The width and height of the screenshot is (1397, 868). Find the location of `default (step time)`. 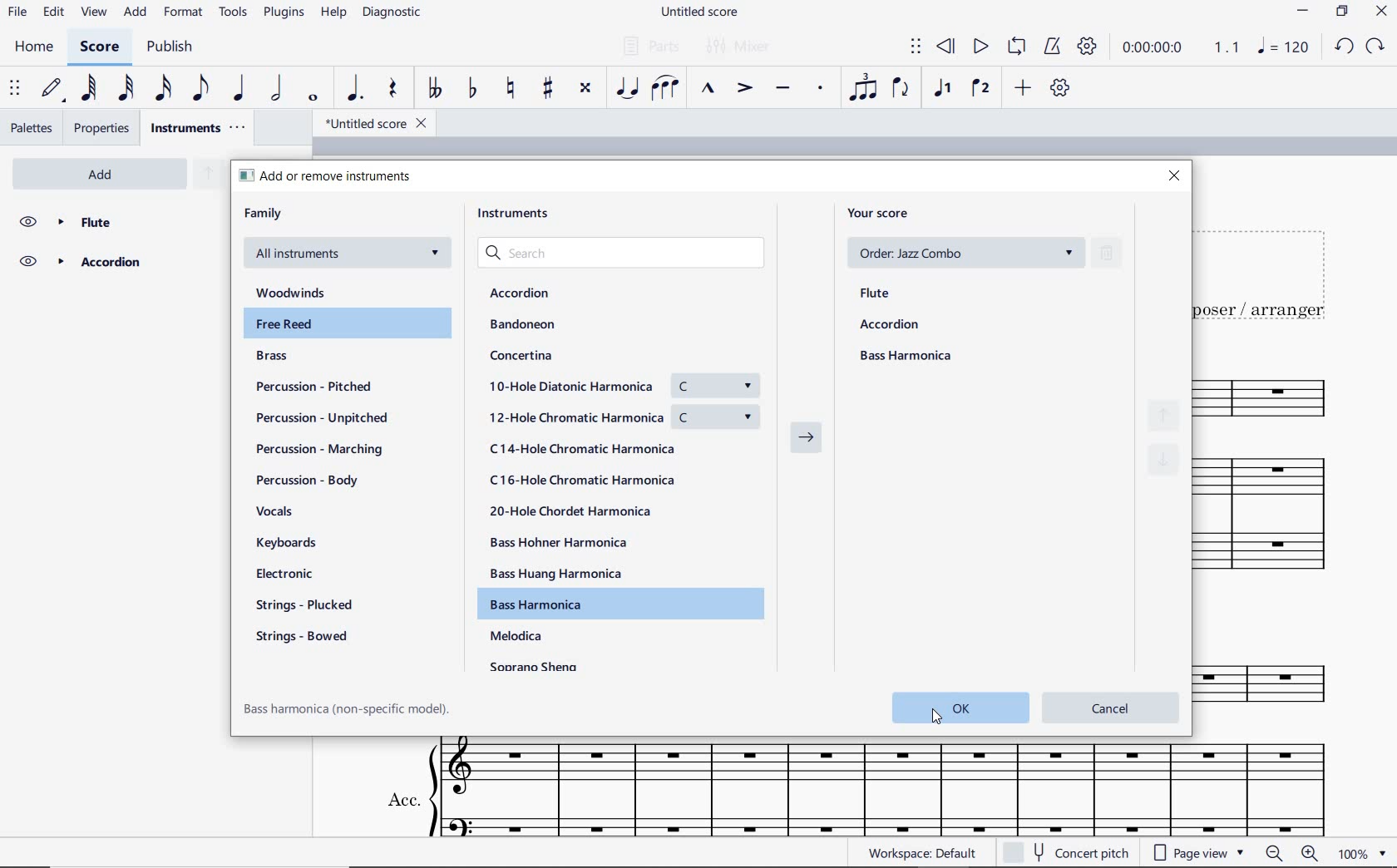

default (step time) is located at coordinates (51, 89).